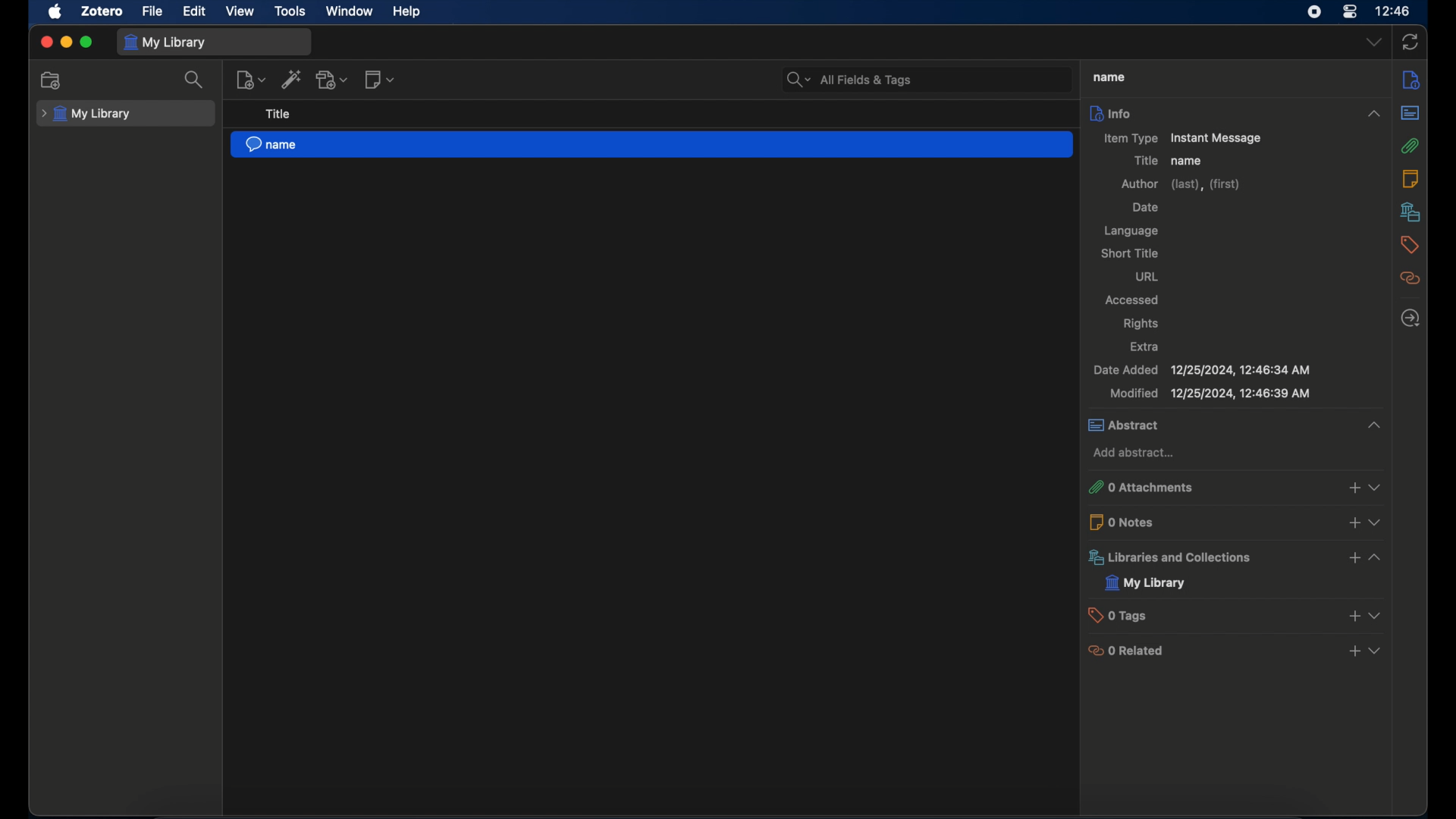 This screenshot has height=819, width=1456. Describe the element at coordinates (1203, 369) in the screenshot. I see `date added` at that location.